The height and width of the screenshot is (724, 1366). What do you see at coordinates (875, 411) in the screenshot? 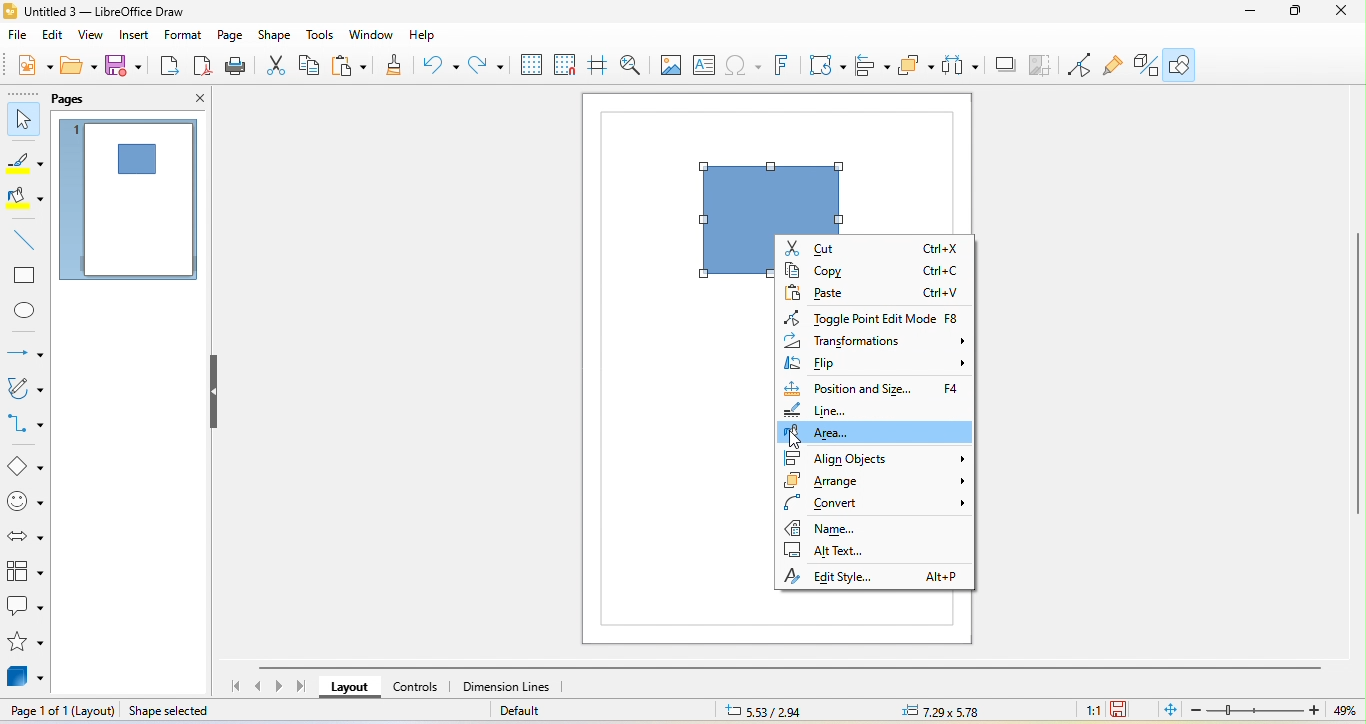
I see `line` at bounding box center [875, 411].